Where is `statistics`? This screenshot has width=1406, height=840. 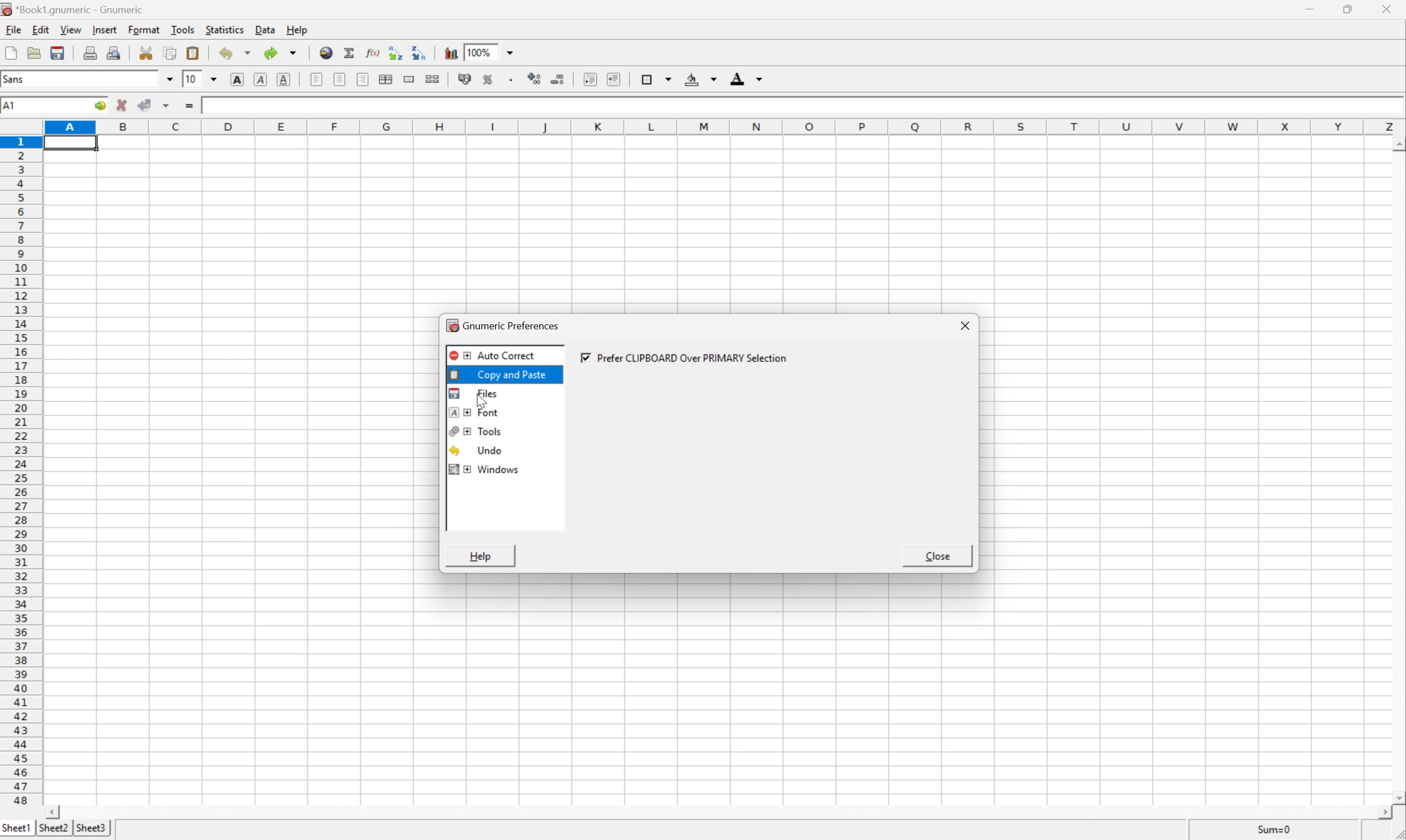 statistics is located at coordinates (224, 31).